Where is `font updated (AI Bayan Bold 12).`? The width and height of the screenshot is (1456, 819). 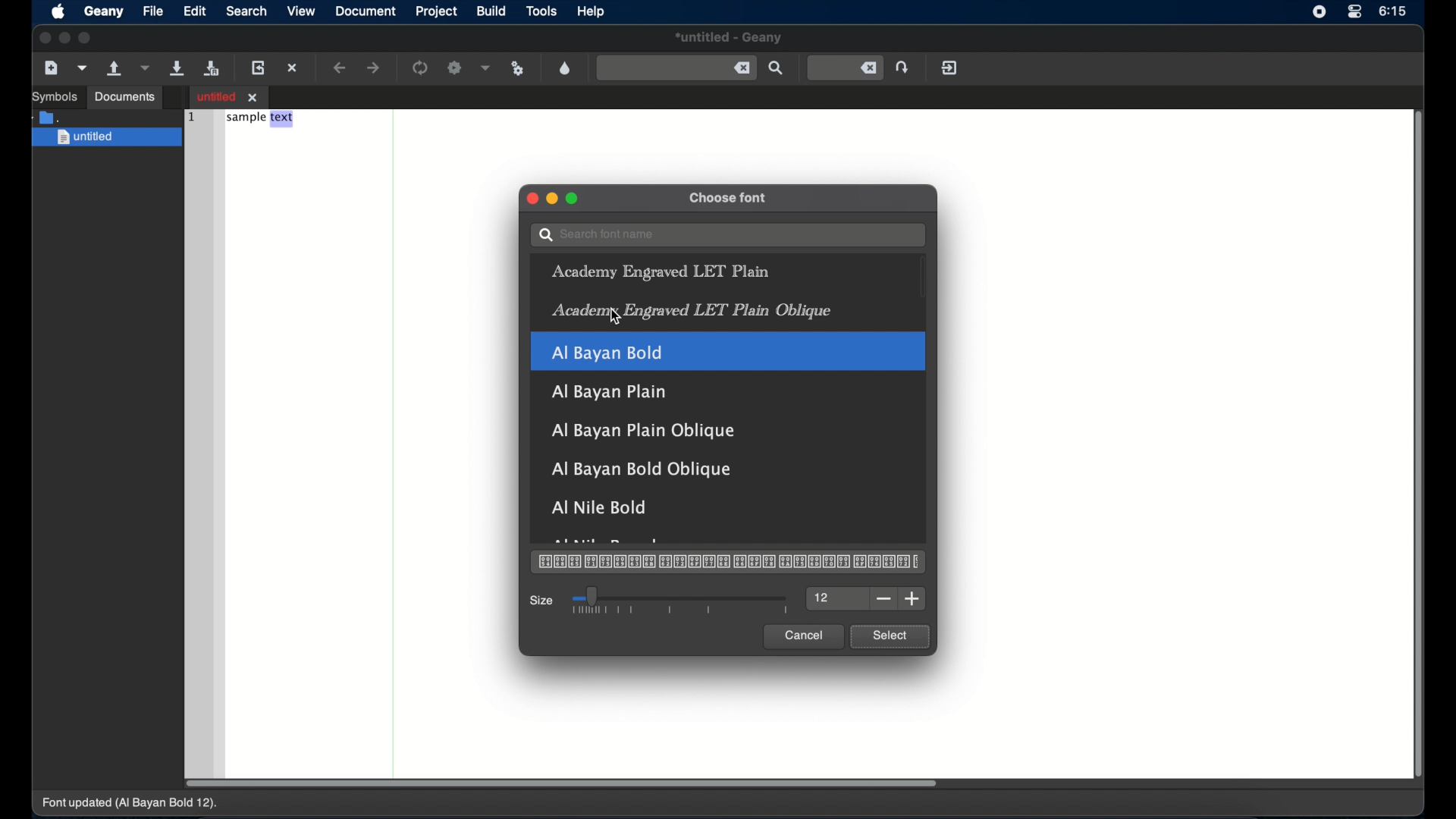
font updated (AI Bayan Bold 12). is located at coordinates (131, 804).